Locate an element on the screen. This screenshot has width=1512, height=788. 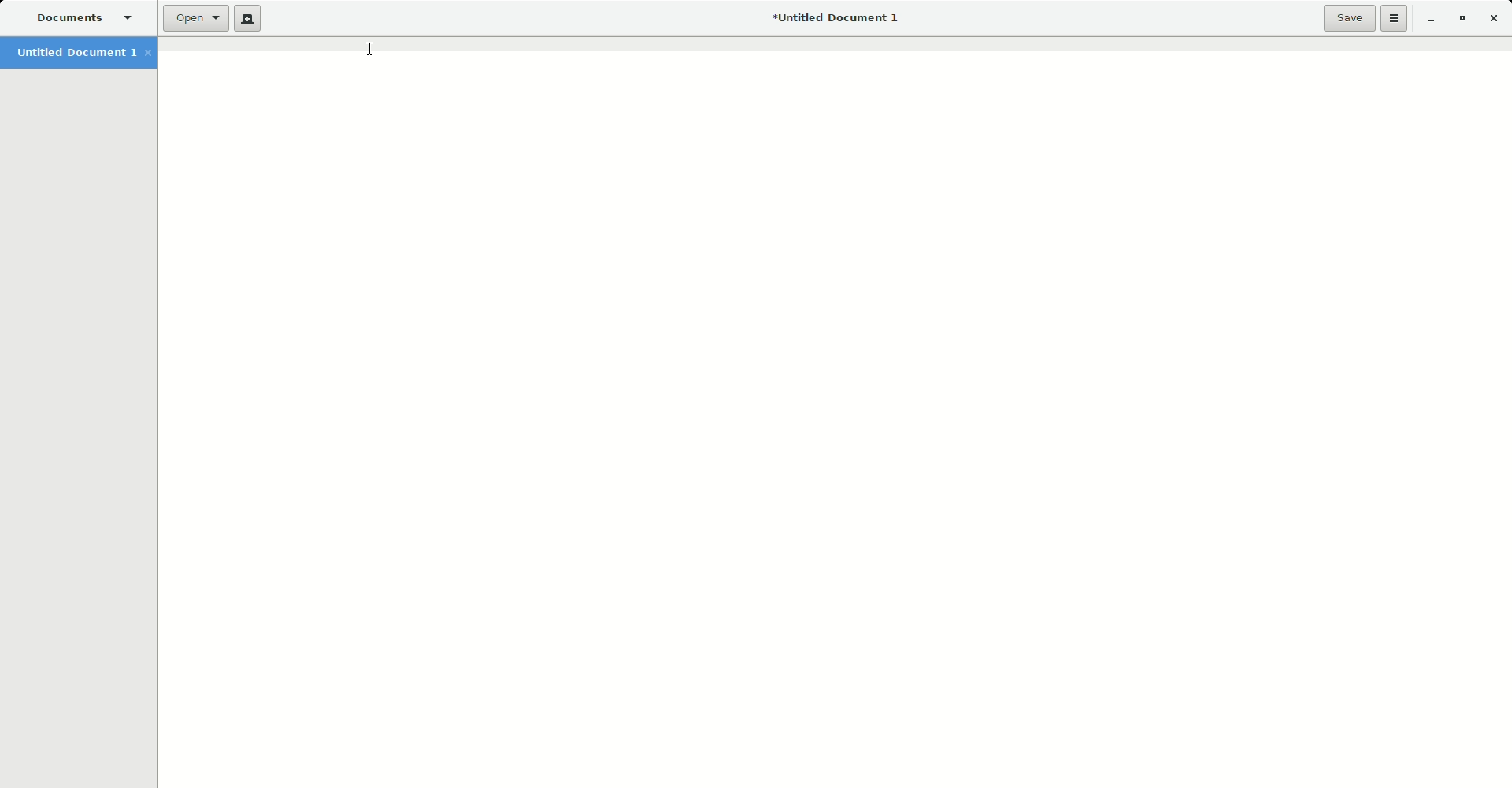
Documents is located at coordinates (85, 17).